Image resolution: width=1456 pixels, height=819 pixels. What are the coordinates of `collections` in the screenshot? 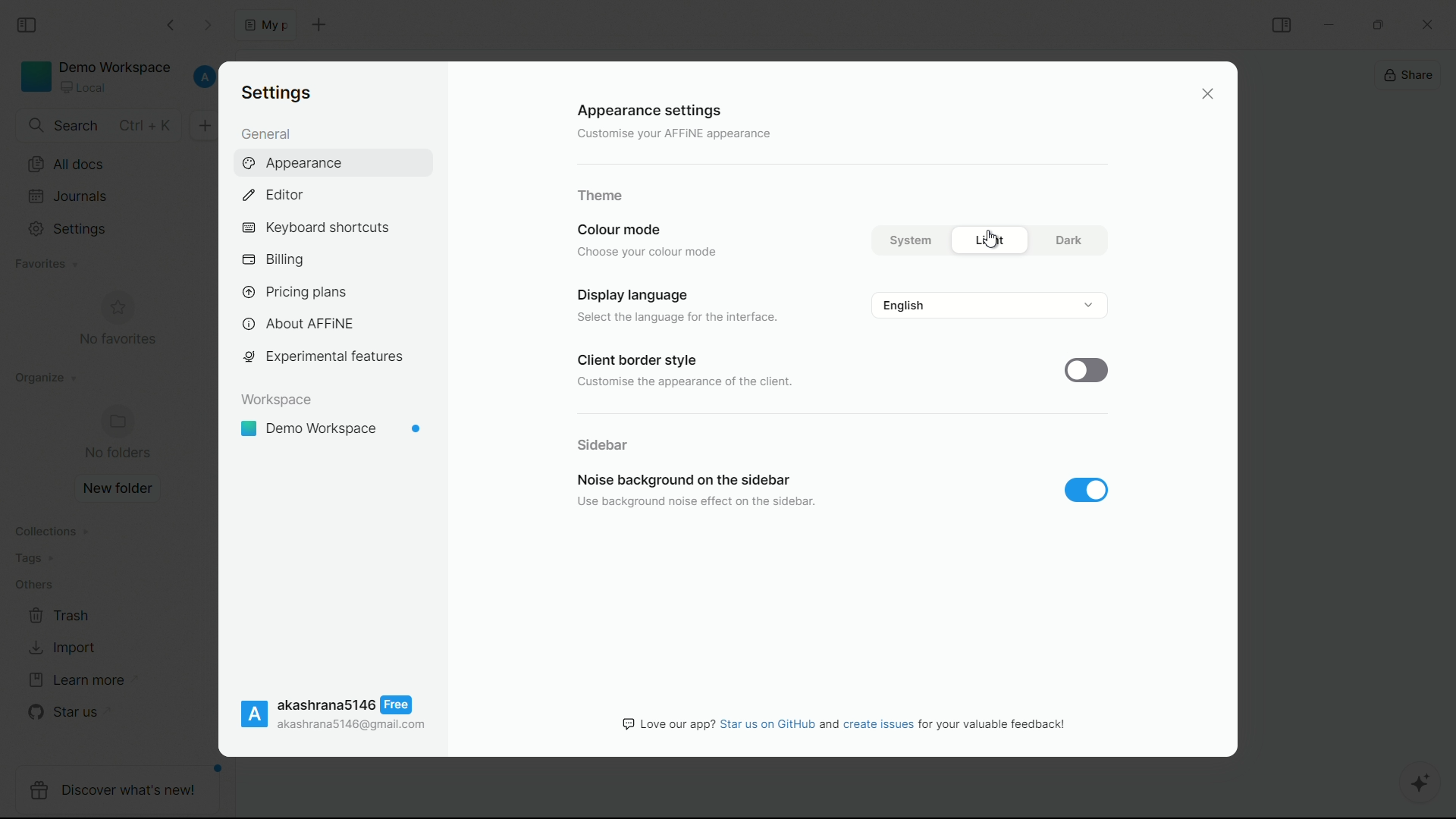 It's located at (52, 532).